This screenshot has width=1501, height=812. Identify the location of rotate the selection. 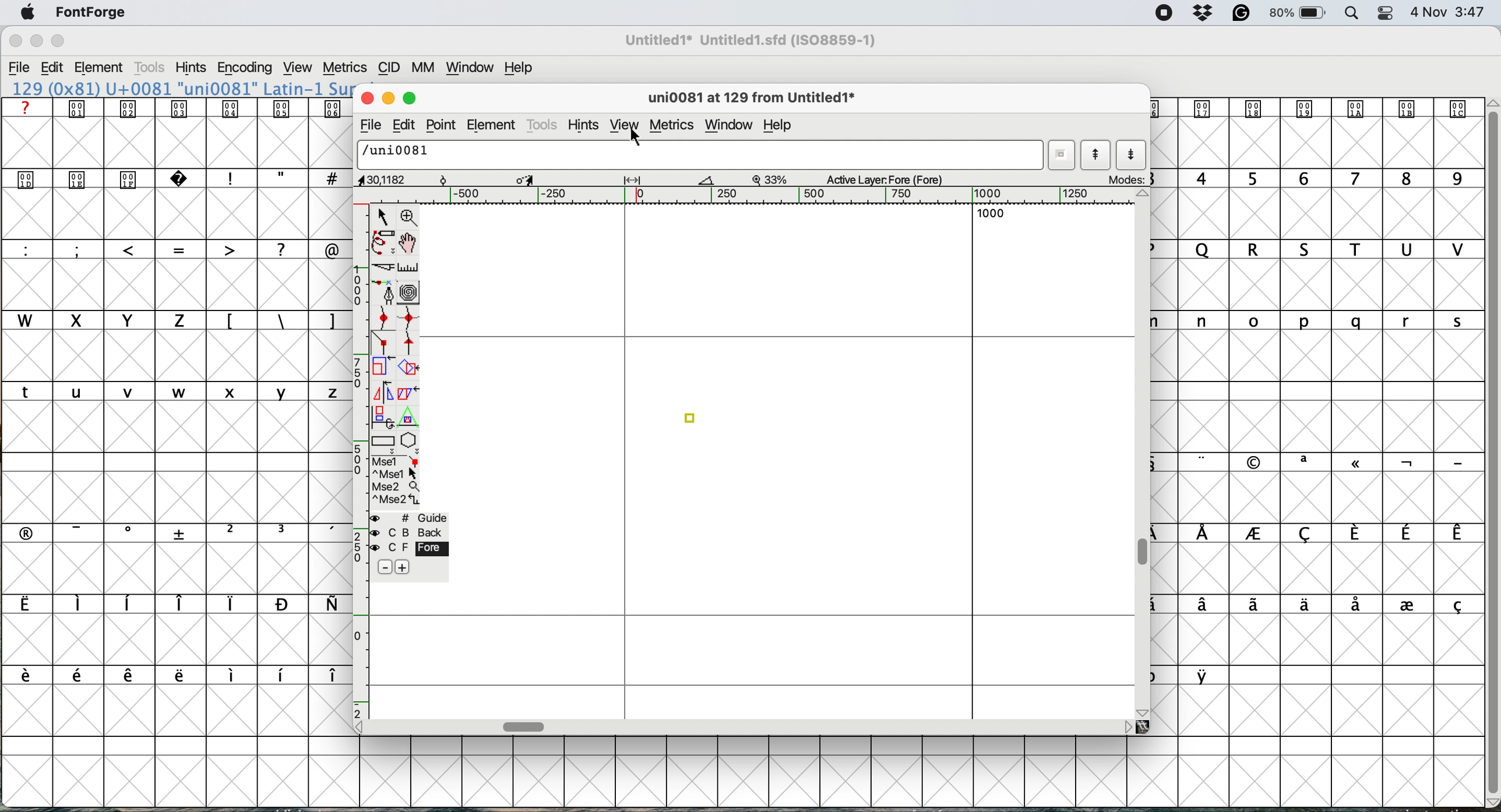
(407, 369).